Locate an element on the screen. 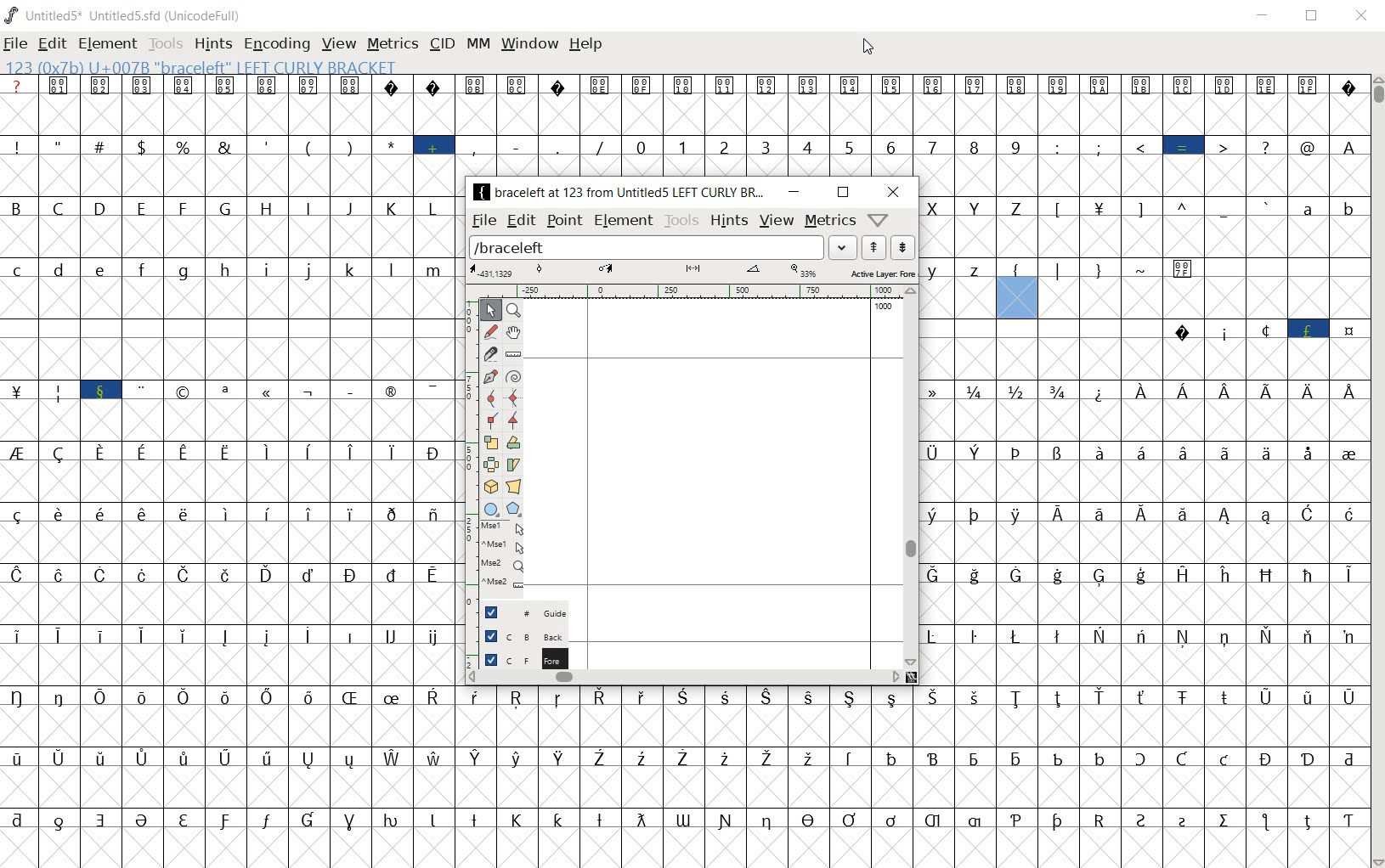  file is located at coordinates (485, 220).